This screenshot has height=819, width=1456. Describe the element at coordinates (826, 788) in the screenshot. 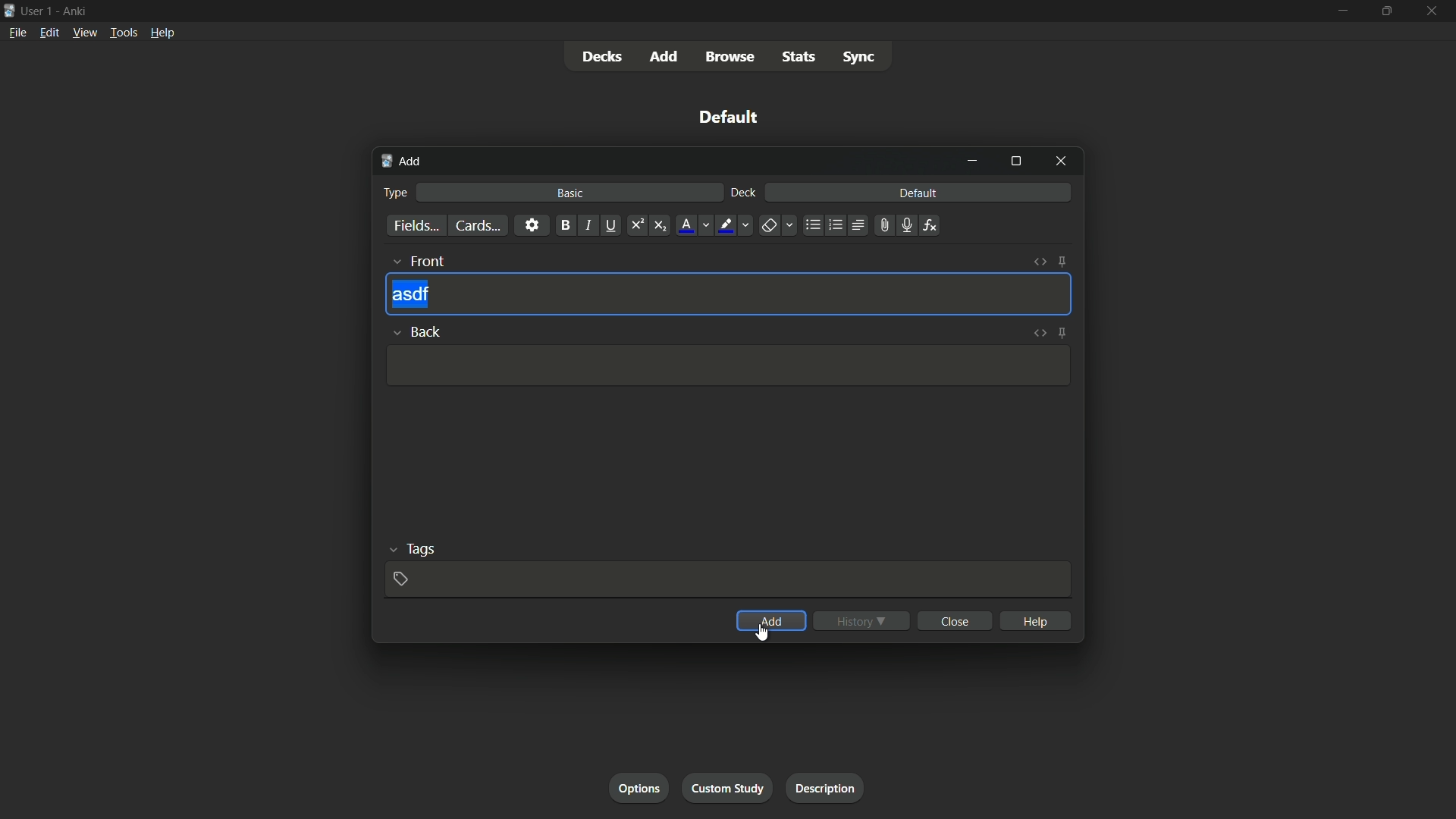

I see `description` at that location.